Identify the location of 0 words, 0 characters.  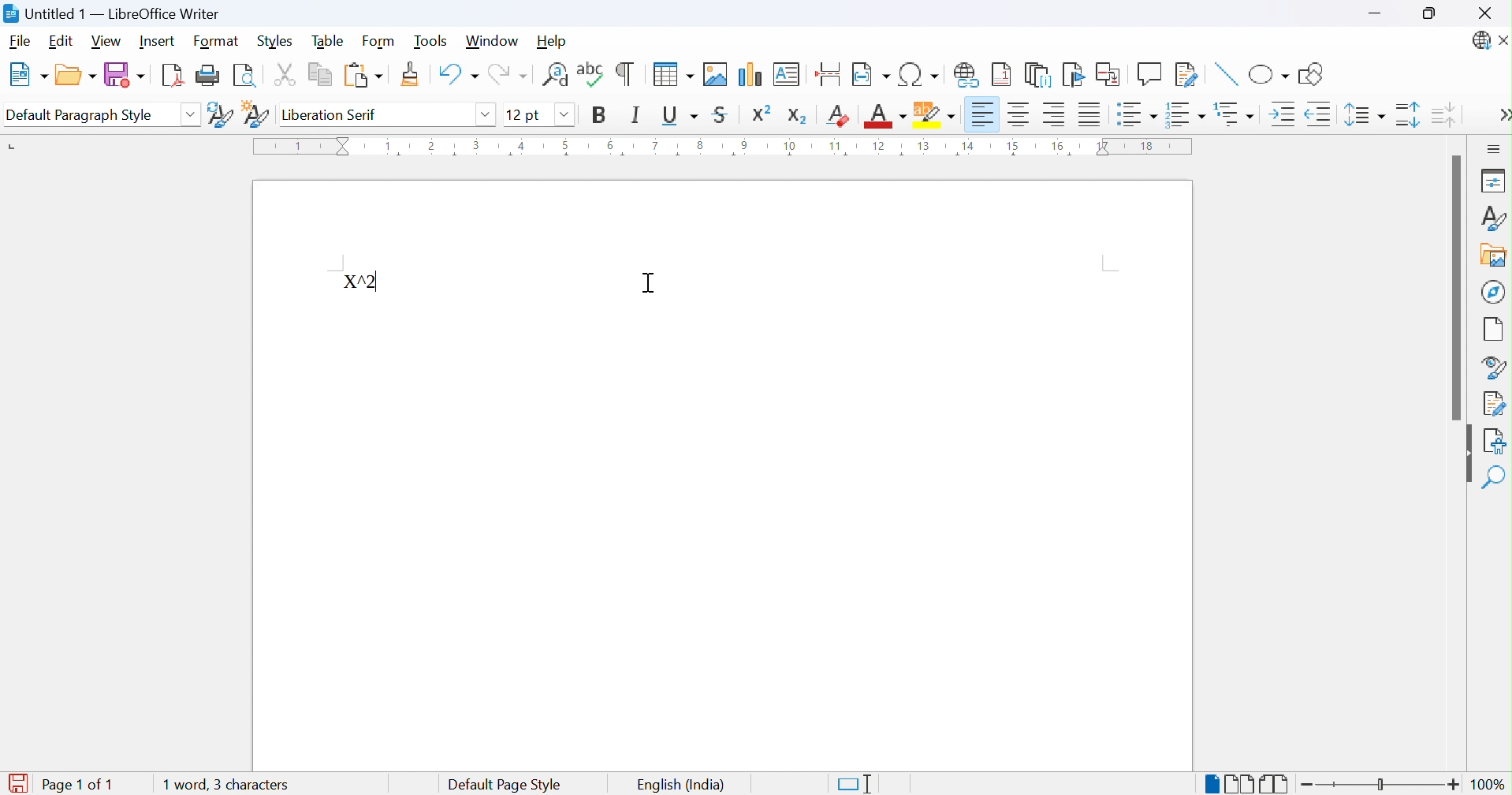
(226, 784).